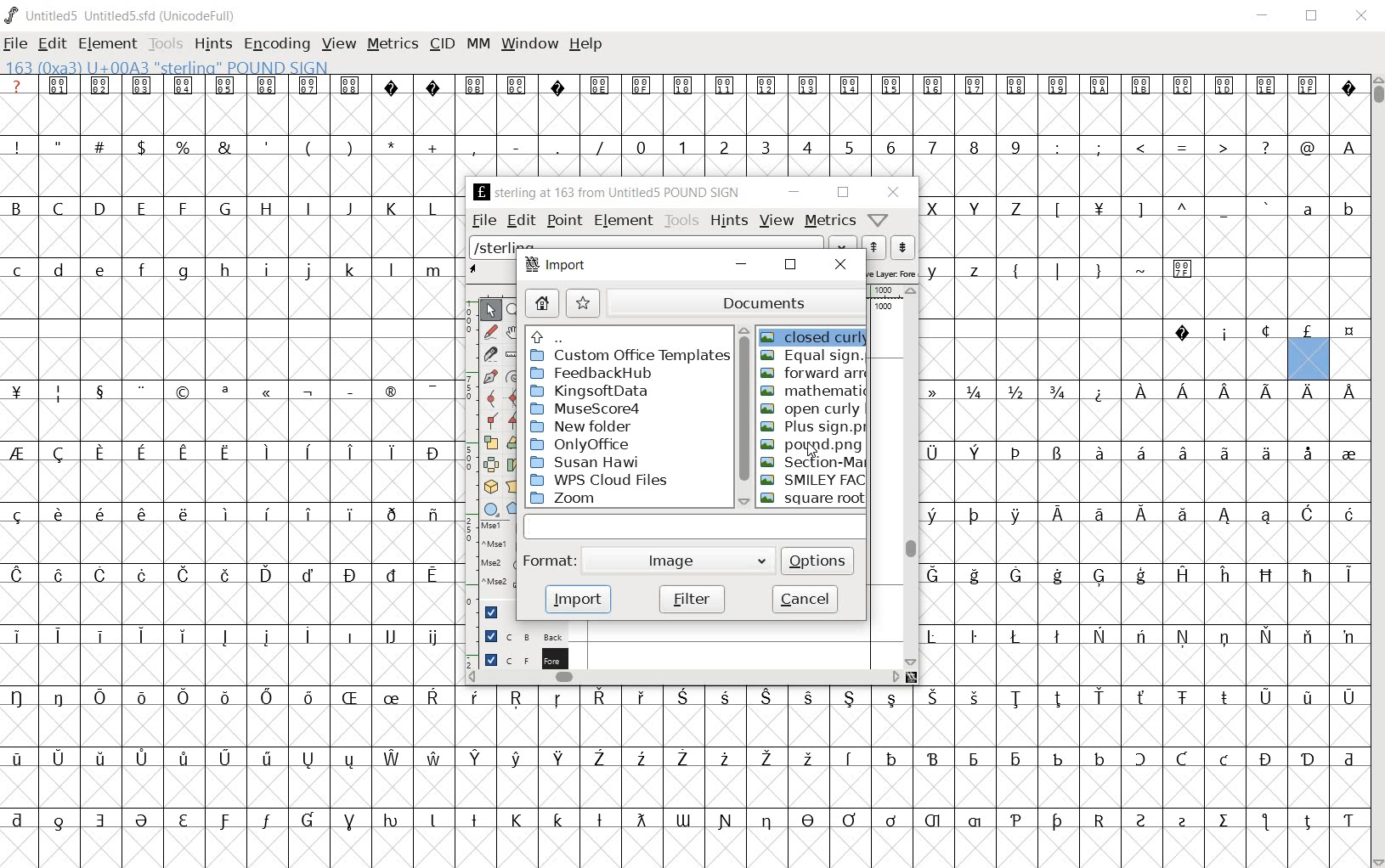  I want to click on Symbol, so click(1100, 696).